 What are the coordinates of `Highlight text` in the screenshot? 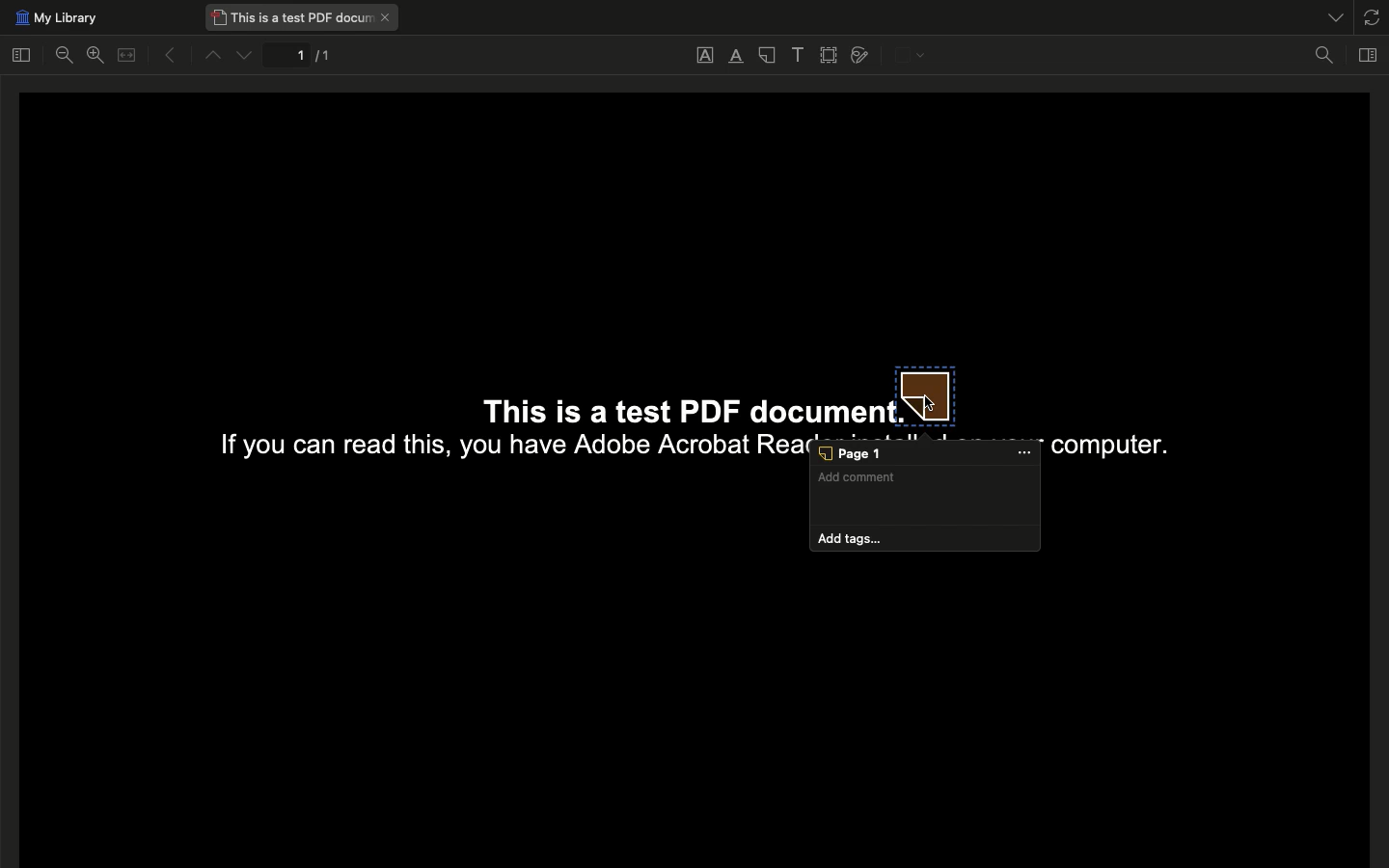 It's located at (735, 57).